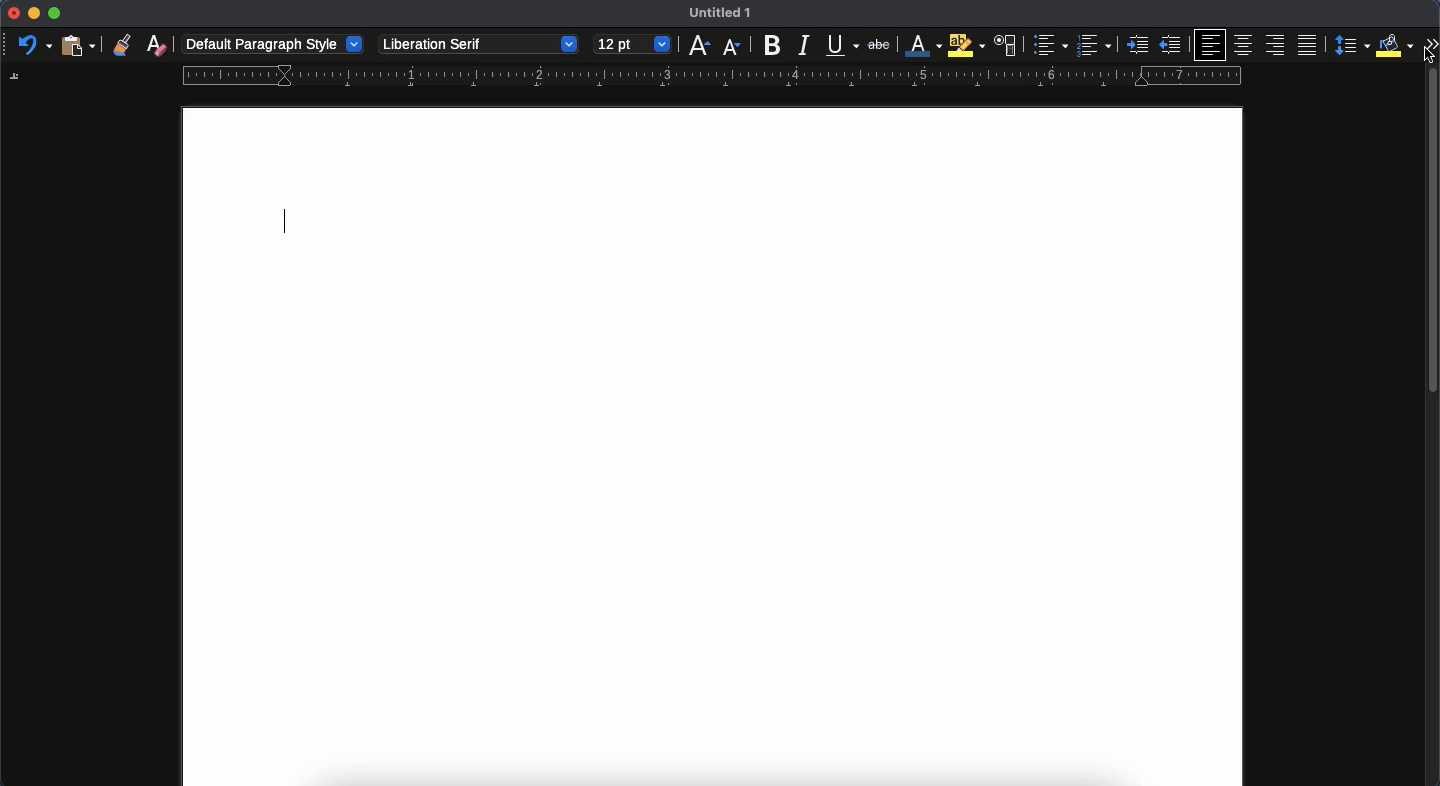 This screenshot has height=786, width=1440. What do you see at coordinates (156, 44) in the screenshot?
I see `clear formatting ` at bounding box center [156, 44].